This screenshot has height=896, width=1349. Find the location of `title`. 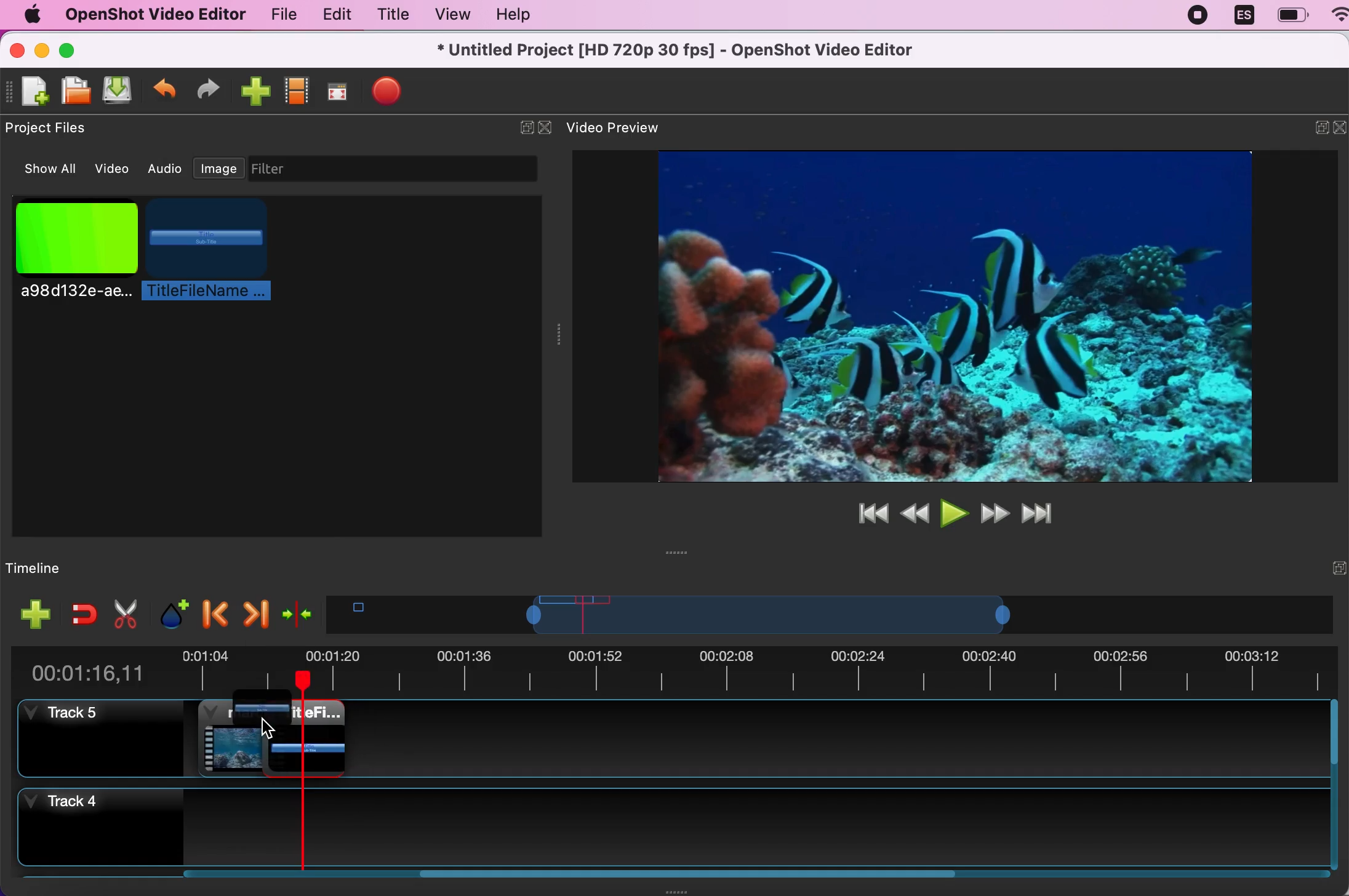

title is located at coordinates (207, 250).